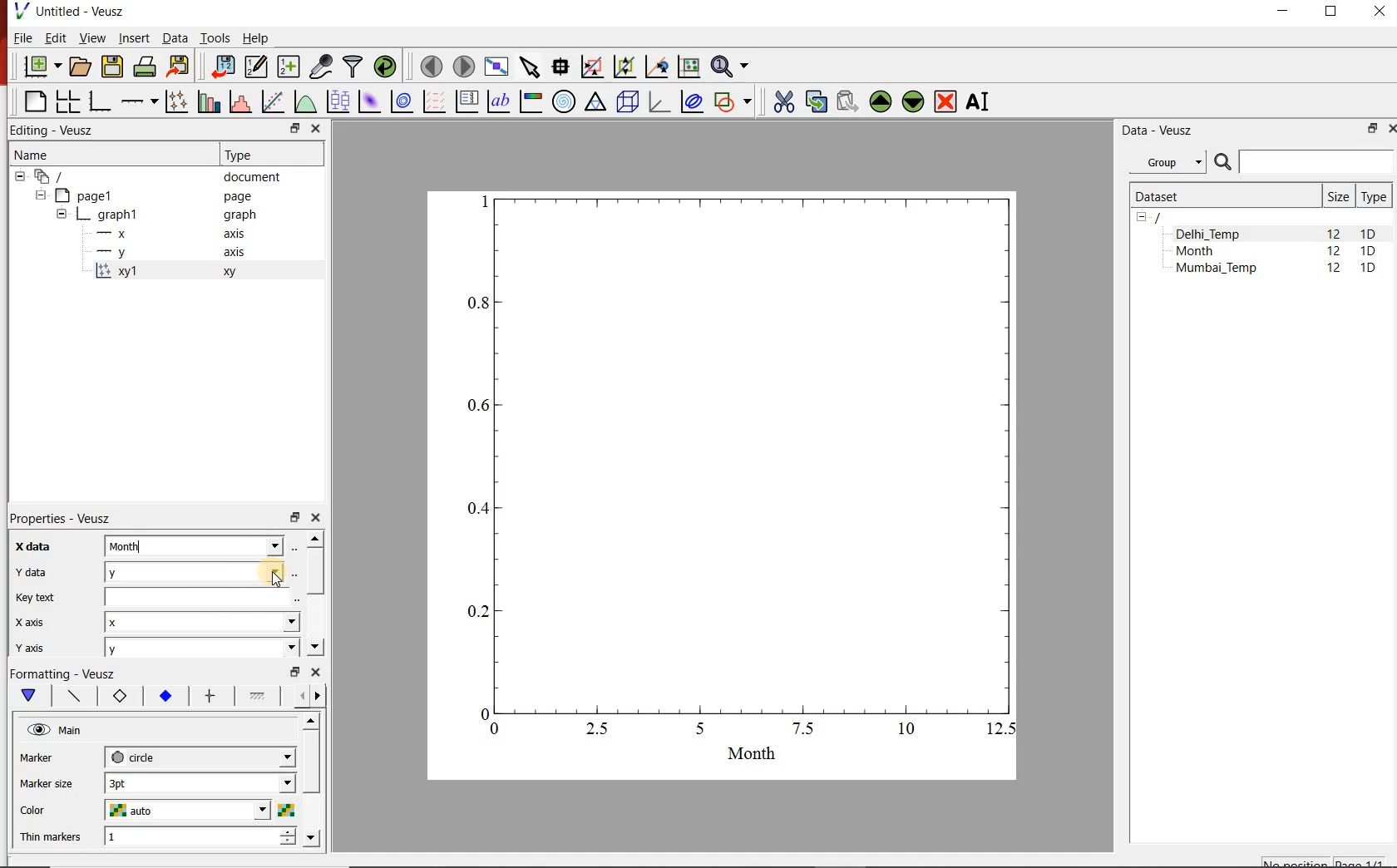  What do you see at coordinates (98, 102) in the screenshot?
I see `base graph` at bounding box center [98, 102].